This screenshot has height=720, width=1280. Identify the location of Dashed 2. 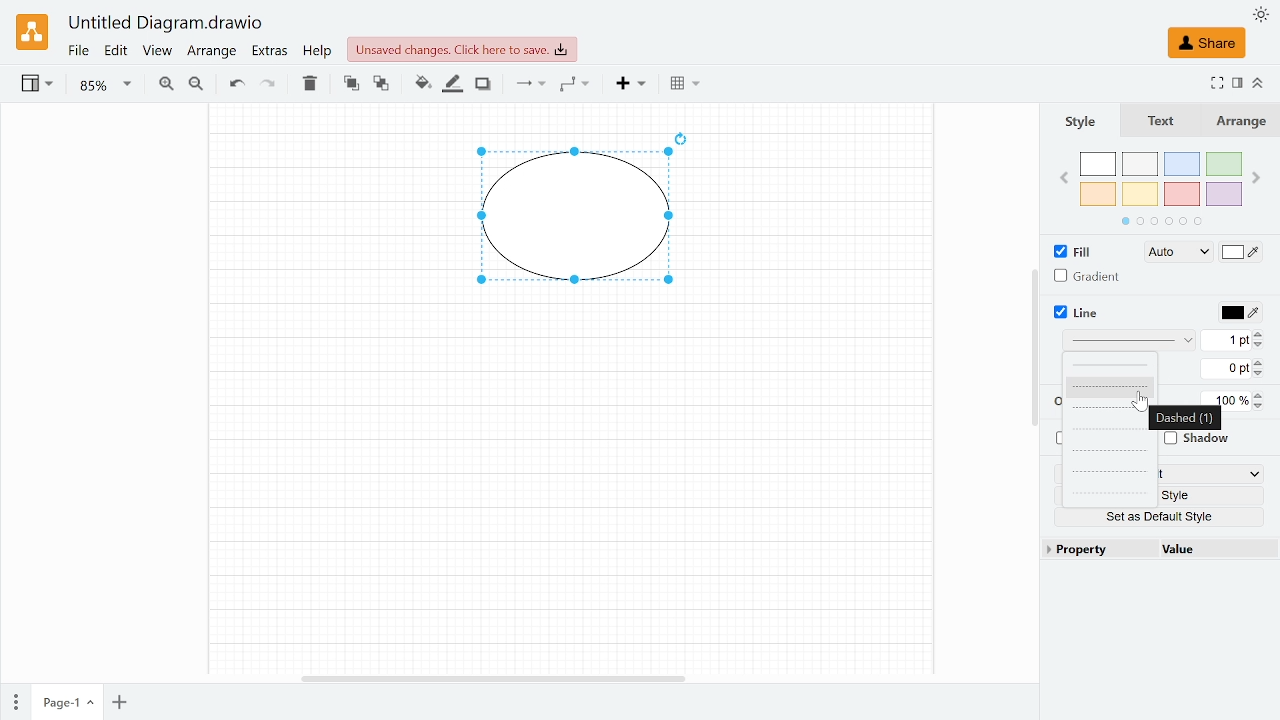
(1110, 408).